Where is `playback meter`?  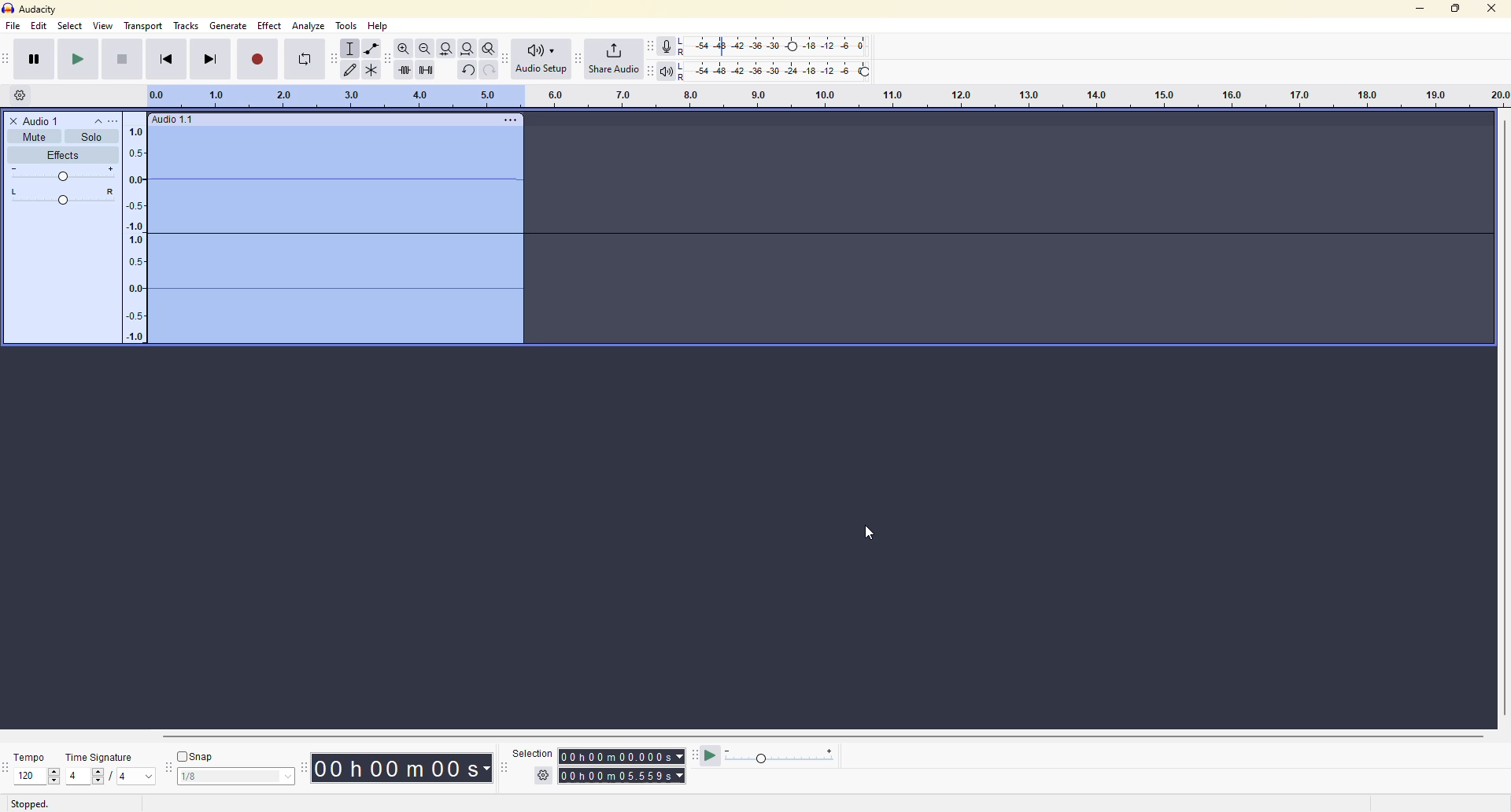 playback meter is located at coordinates (666, 70).